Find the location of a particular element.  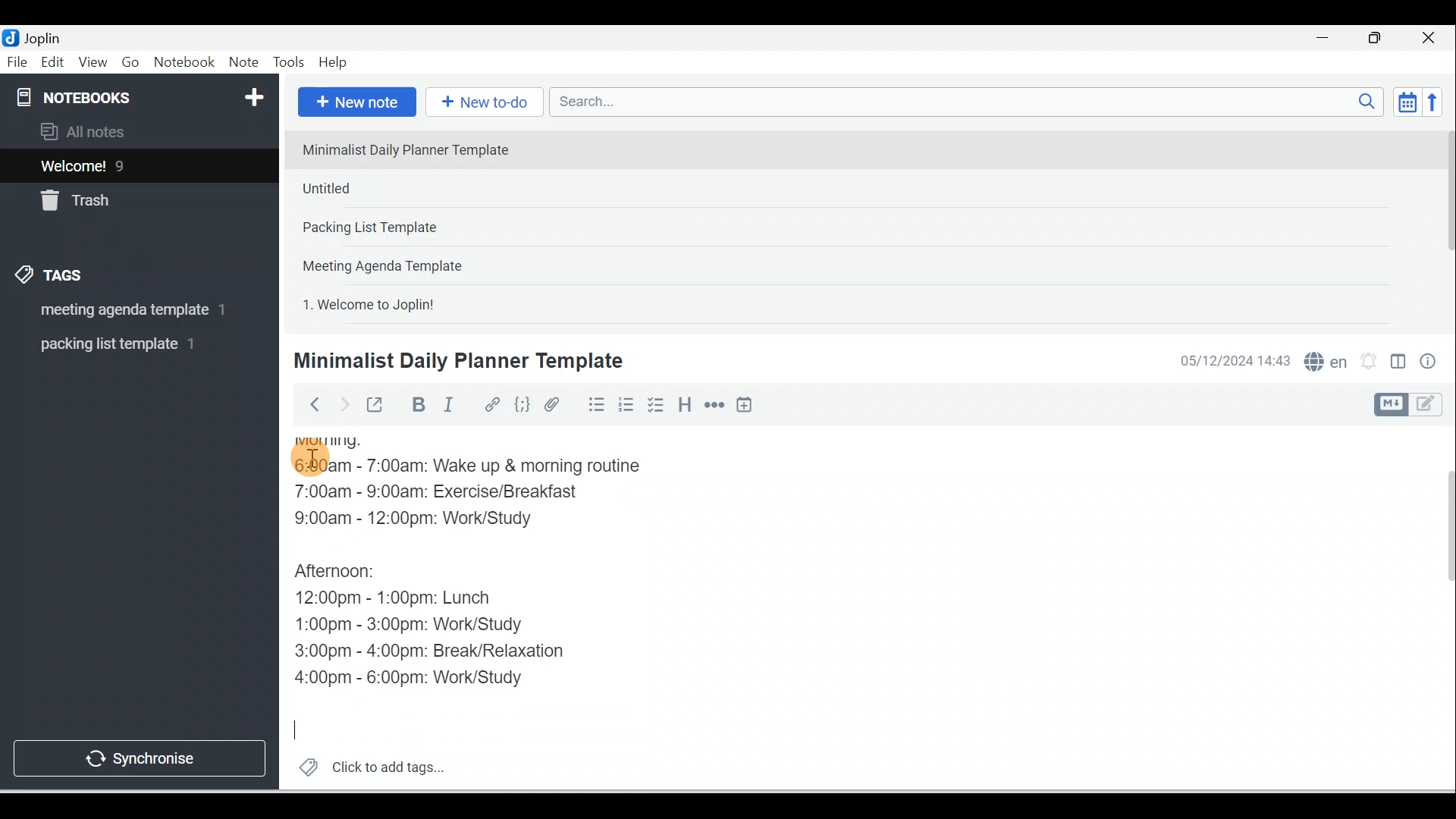

New to-do is located at coordinates (481, 103).